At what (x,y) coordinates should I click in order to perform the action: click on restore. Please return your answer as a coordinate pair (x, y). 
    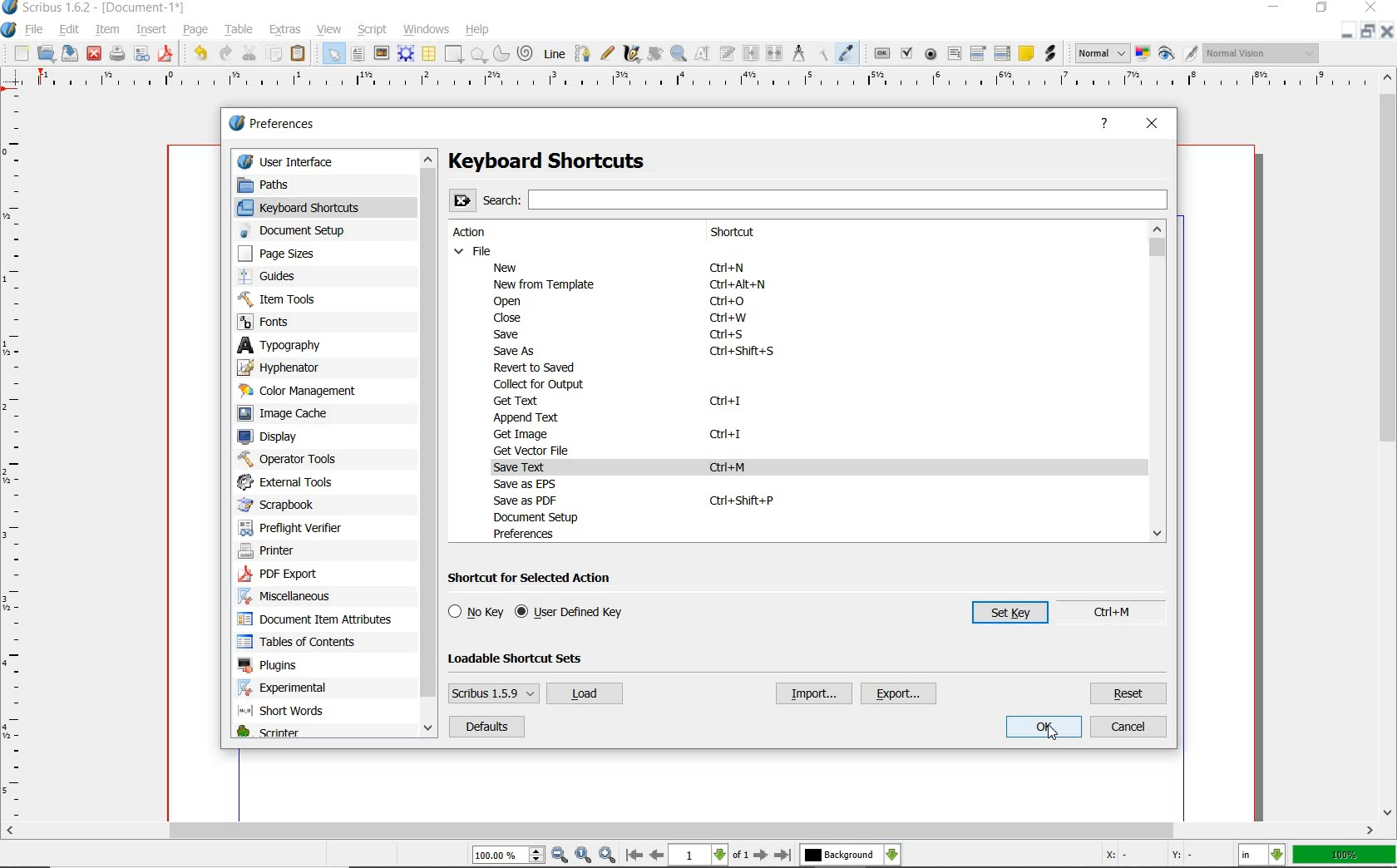
    Looking at the image, I should click on (1345, 32).